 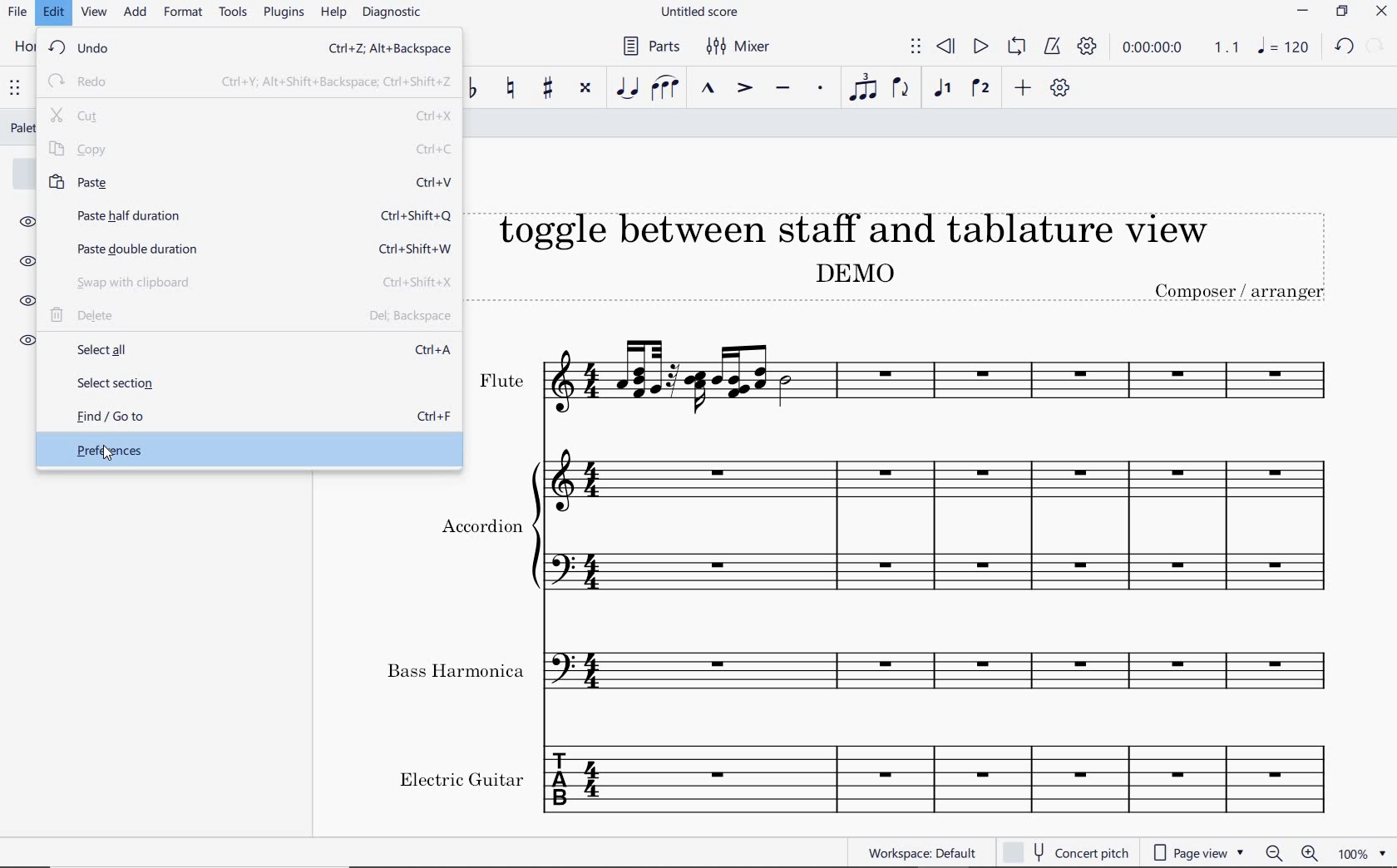 I want to click on zoom factor, so click(x=1360, y=853).